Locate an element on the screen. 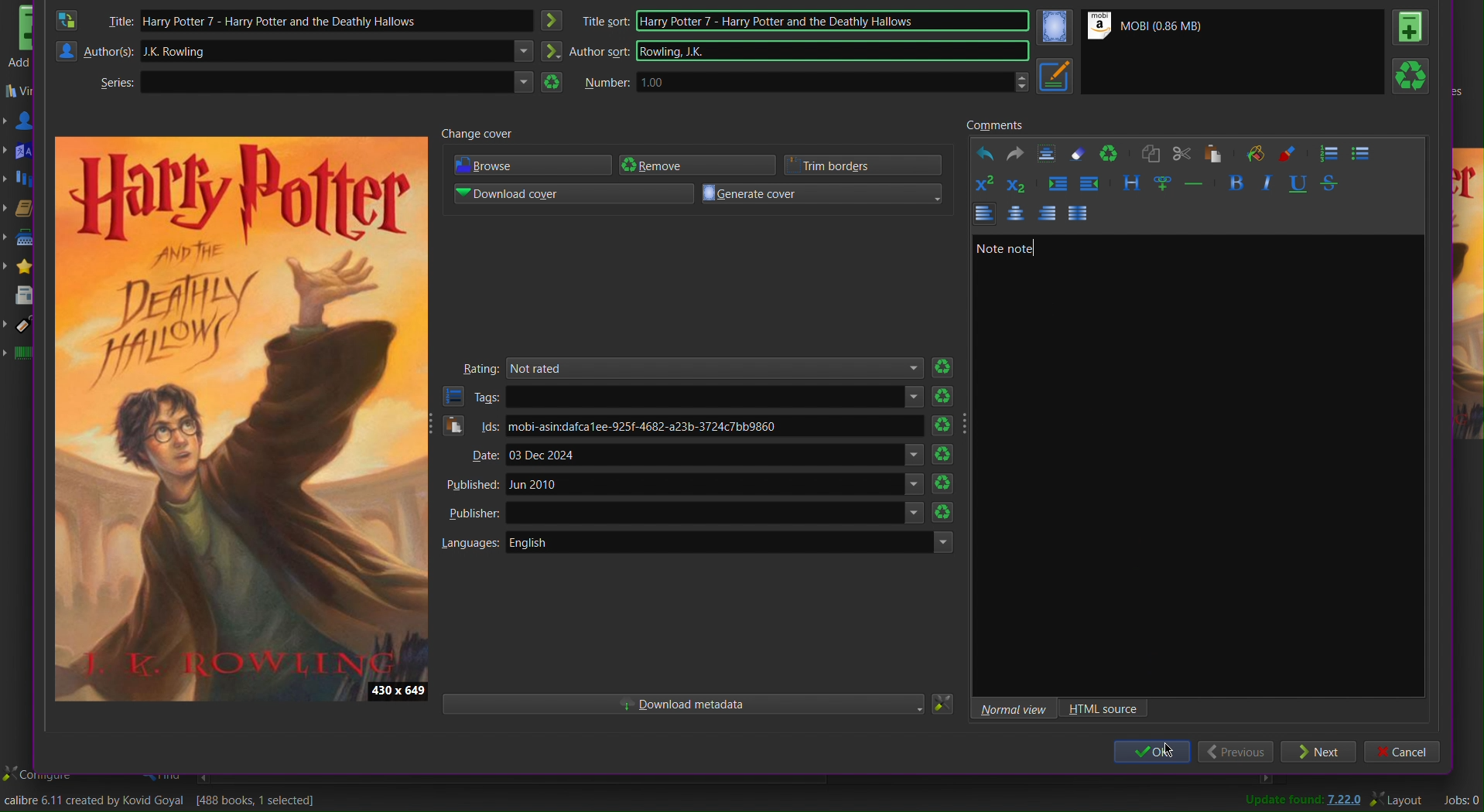 The height and width of the screenshot is (812, 1484). Harry Potter 7 is located at coordinates (353, 21).